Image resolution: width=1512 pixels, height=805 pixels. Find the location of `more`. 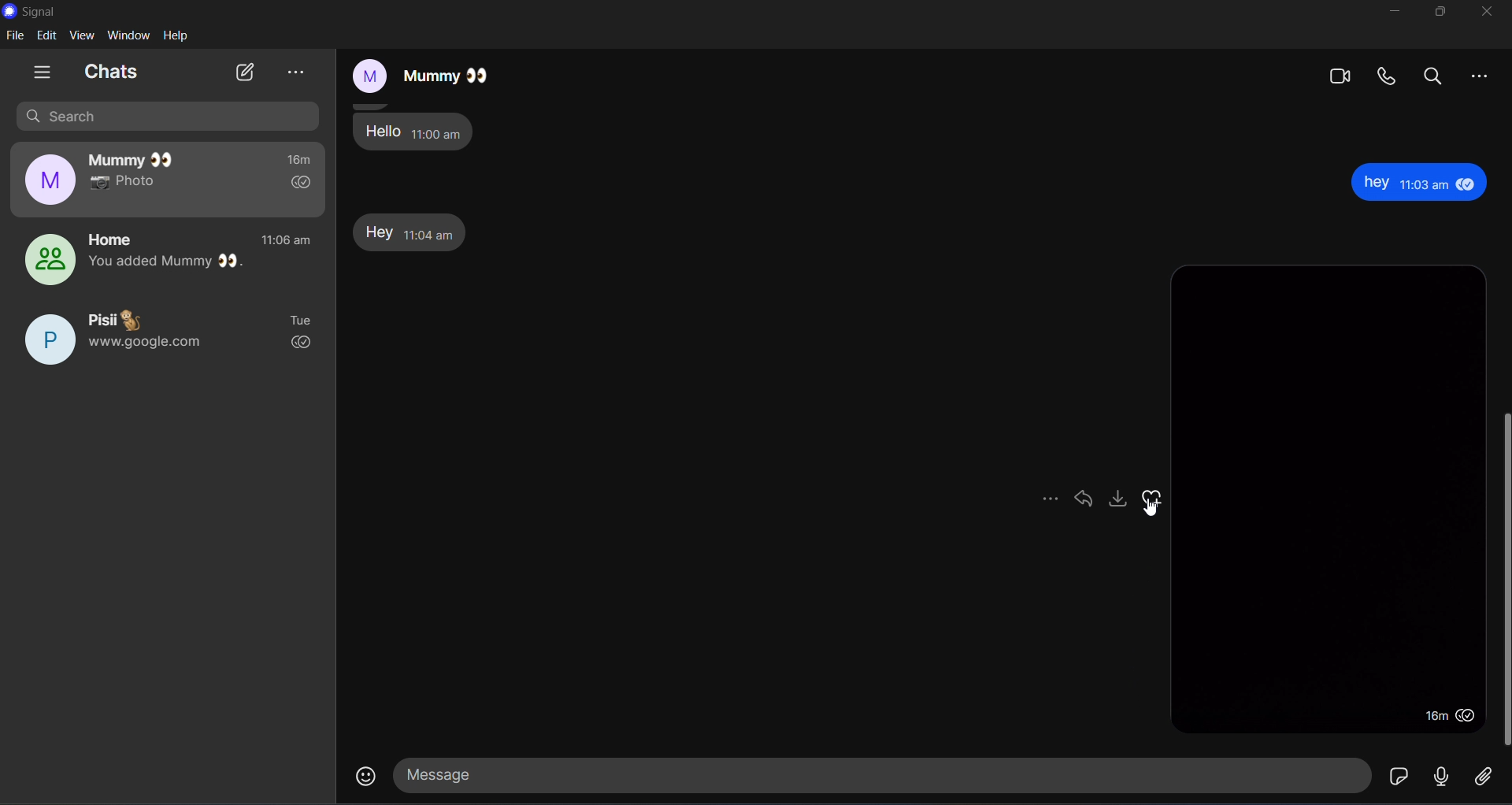

more is located at coordinates (1049, 500).